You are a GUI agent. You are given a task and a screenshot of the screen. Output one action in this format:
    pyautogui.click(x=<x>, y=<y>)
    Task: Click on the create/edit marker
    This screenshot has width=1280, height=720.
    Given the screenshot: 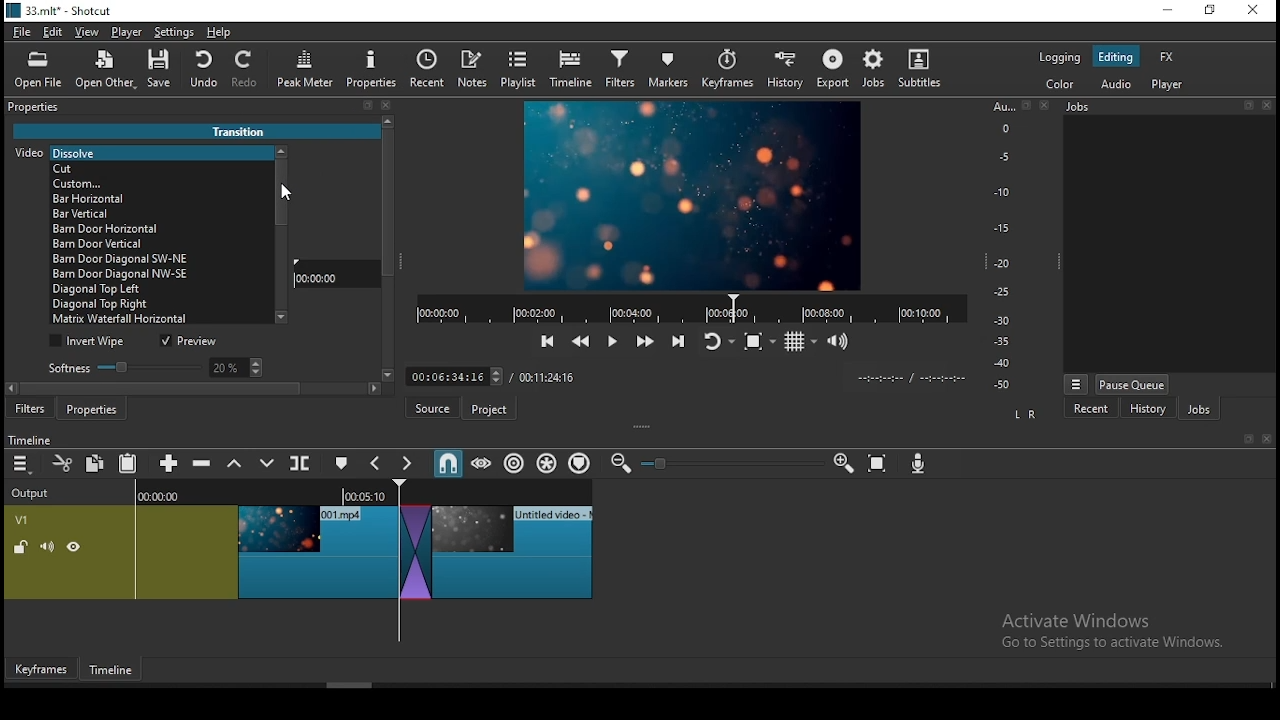 What is the action you would take?
    pyautogui.click(x=344, y=464)
    